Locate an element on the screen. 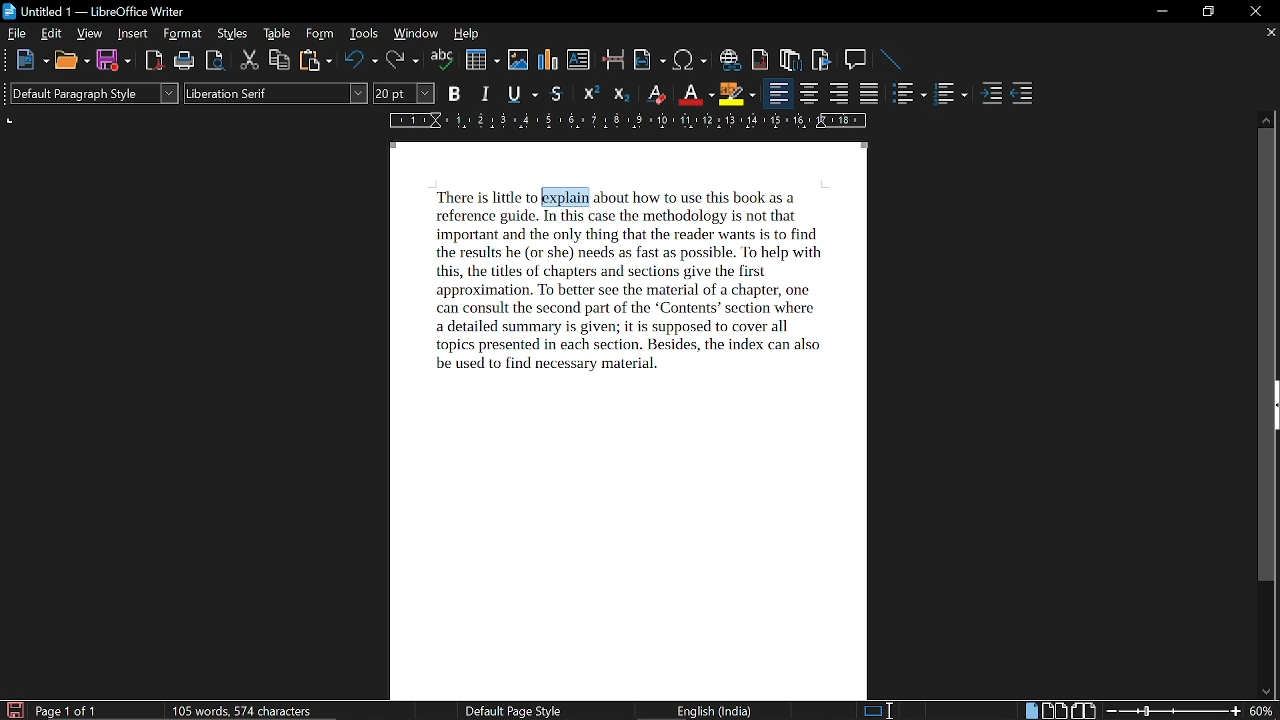 The height and width of the screenshot is (720, 1280). highlight is located at coordinates (736, 94).